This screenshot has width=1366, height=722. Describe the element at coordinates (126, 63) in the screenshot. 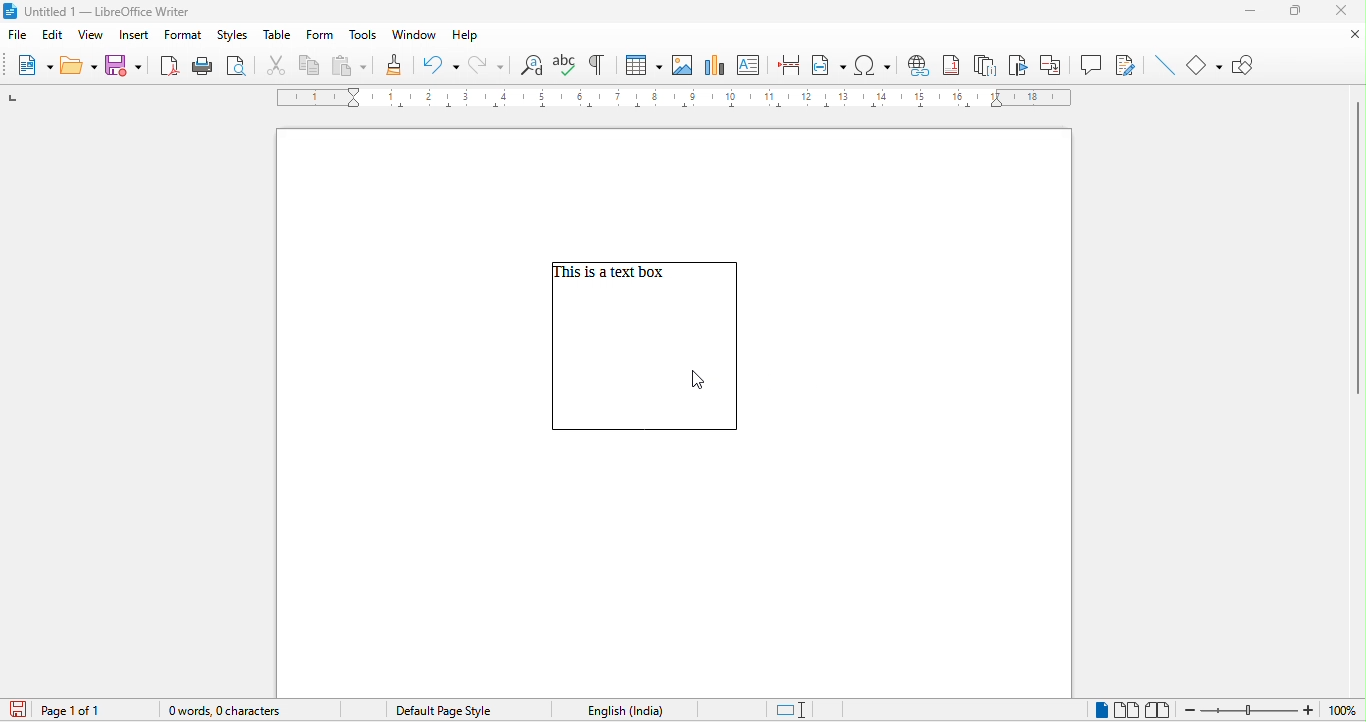

I see `save` at that location.